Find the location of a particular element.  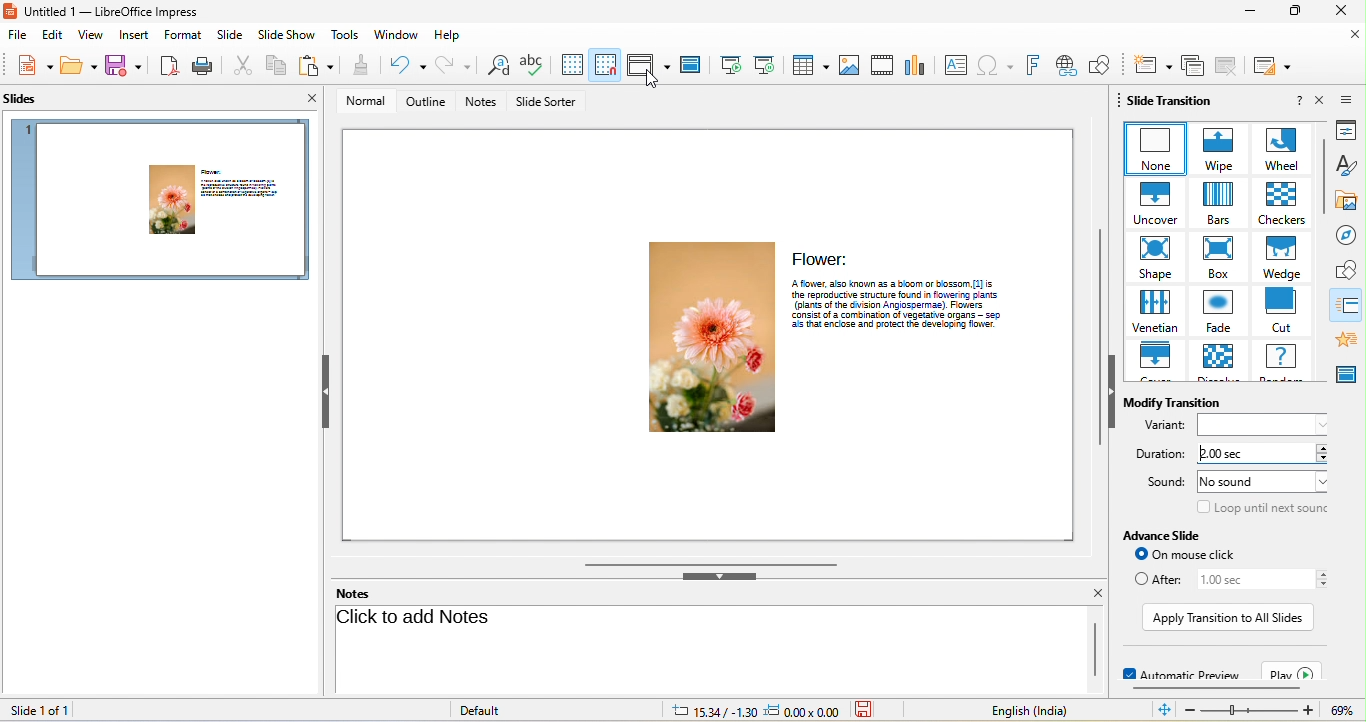

duration is located at coordinates (1159, 455).